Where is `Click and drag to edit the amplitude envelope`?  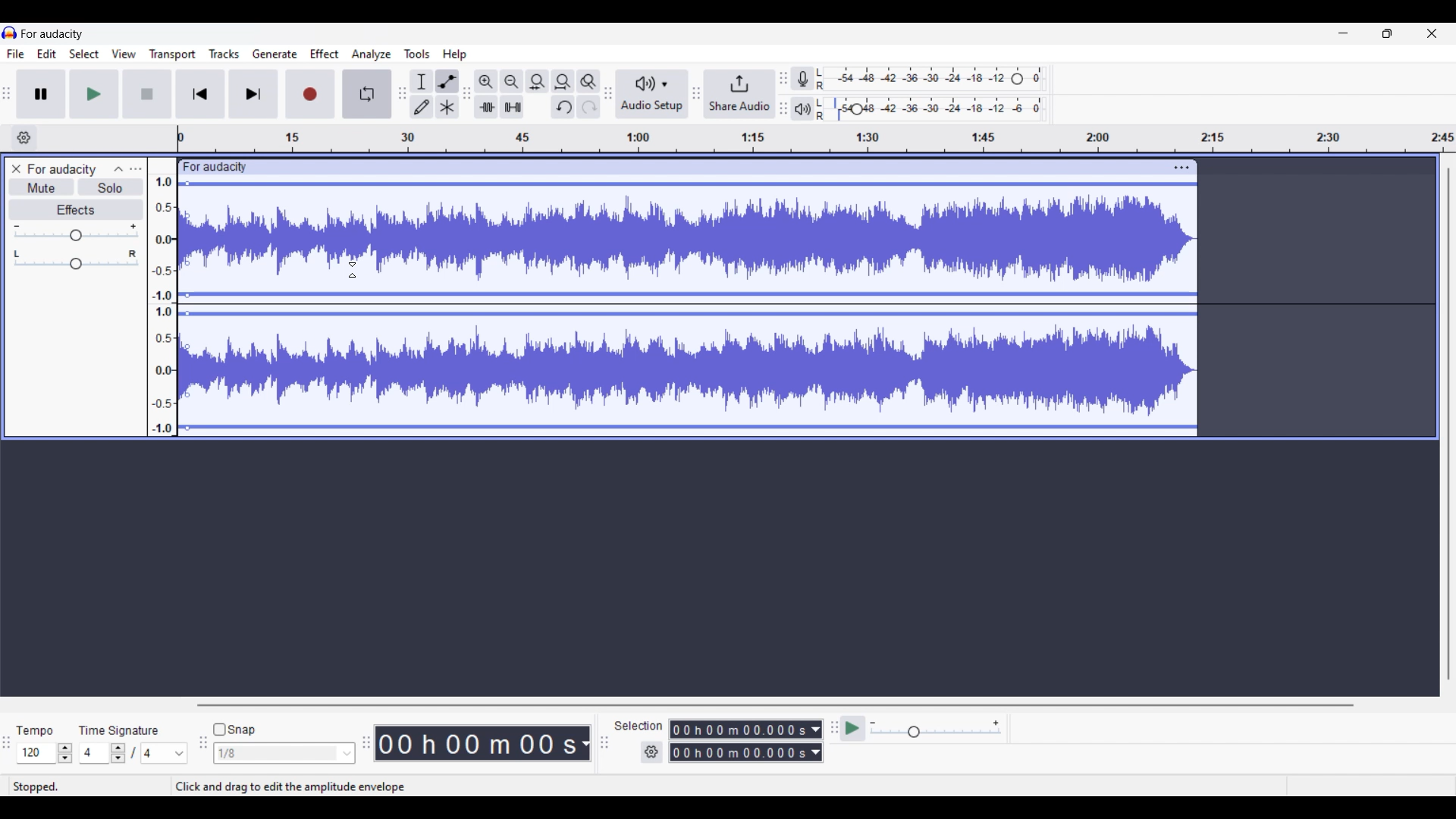
Click and drag to edit the amplitude envelope is located at coordinates (288, 787).